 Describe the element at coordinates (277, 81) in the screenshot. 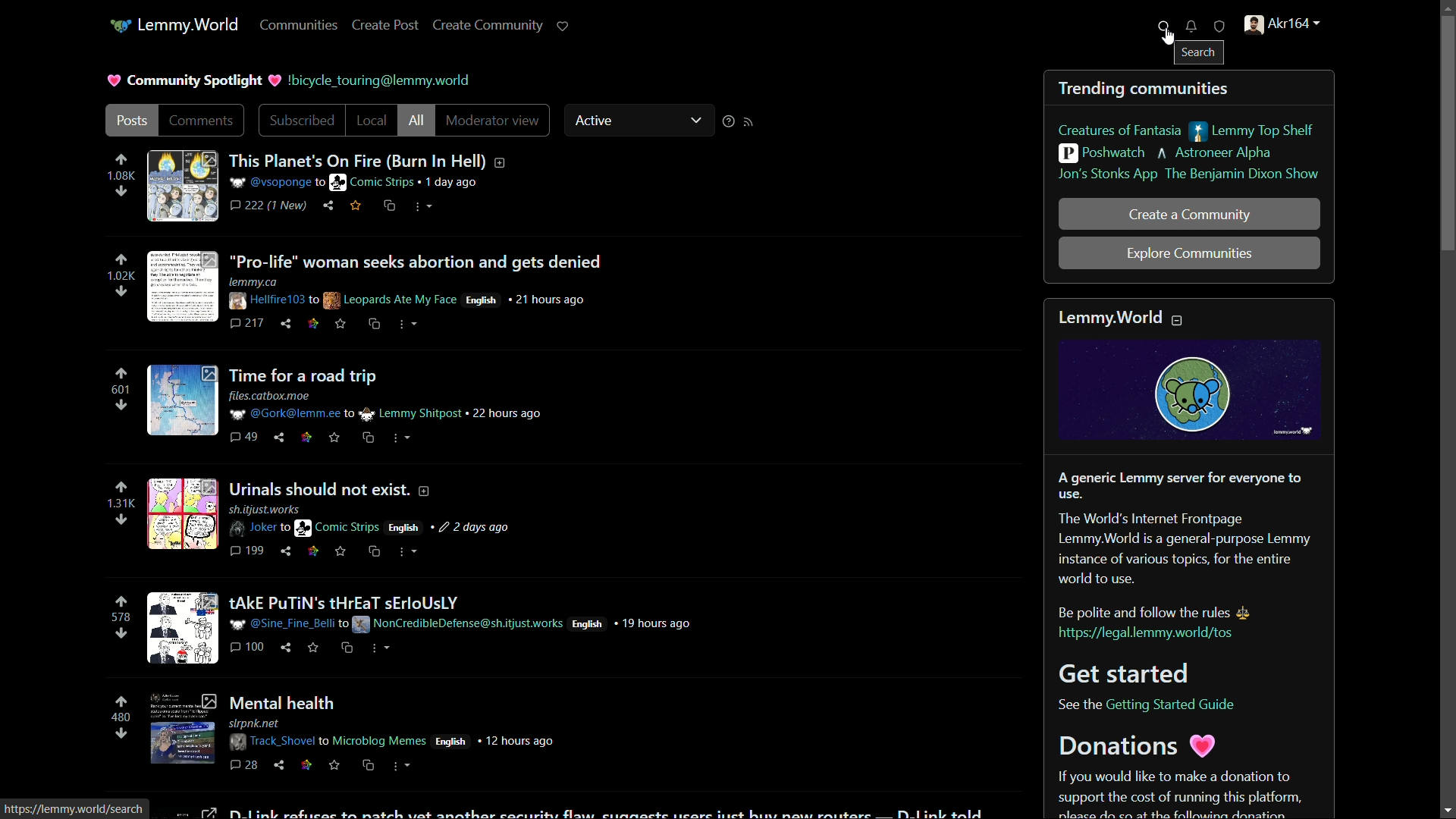

I see `heart symbol` at that location.